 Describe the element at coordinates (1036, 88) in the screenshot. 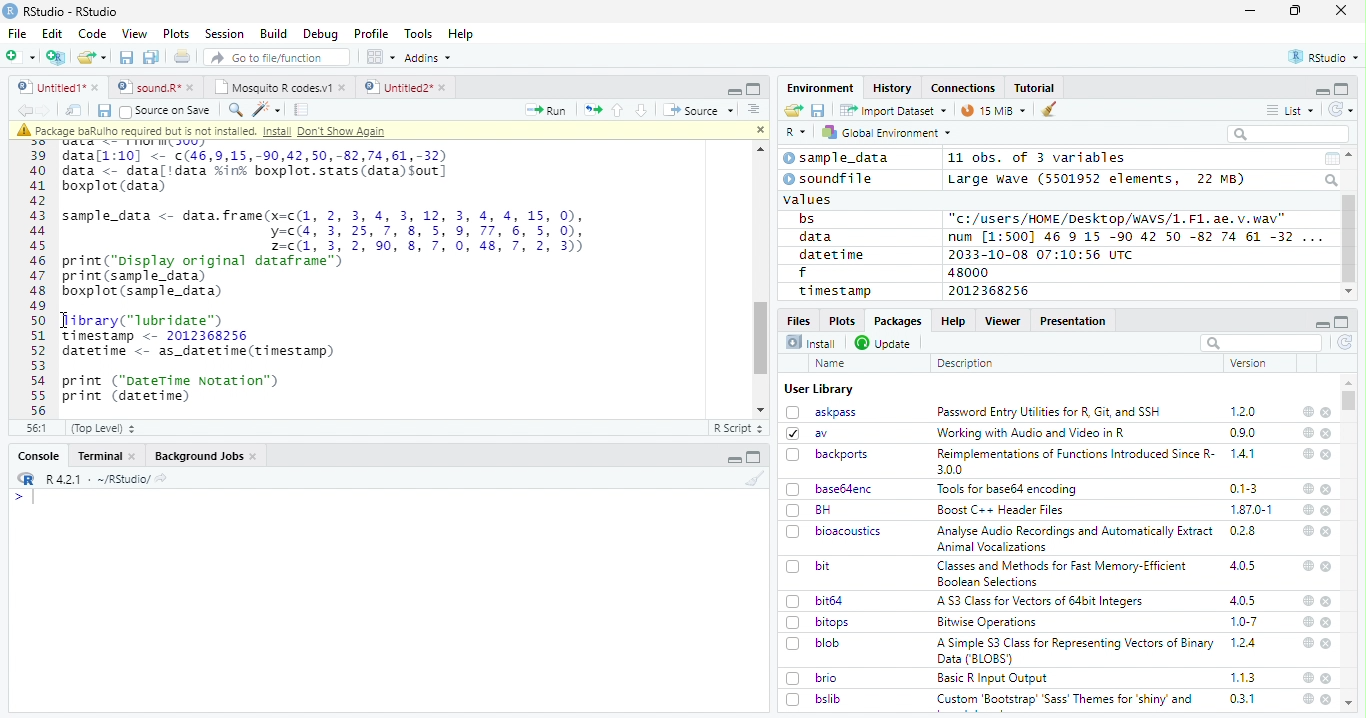

I see `Tutorial` at that location.